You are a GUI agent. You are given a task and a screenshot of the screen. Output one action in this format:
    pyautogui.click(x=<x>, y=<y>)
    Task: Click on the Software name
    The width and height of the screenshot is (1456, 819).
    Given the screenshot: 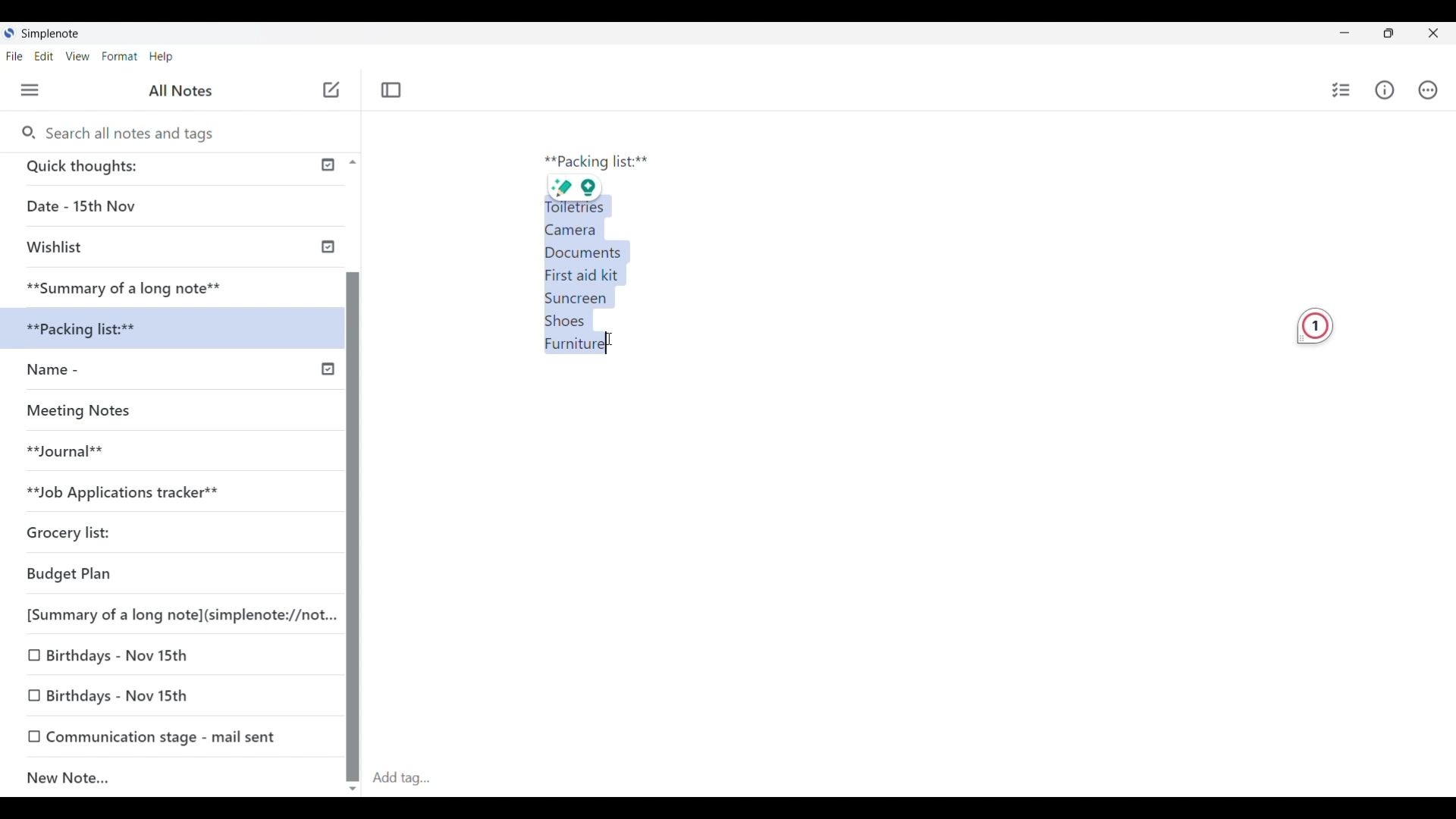 What is the action you would take?
    pyautogui.click(x=52, y=34)
    